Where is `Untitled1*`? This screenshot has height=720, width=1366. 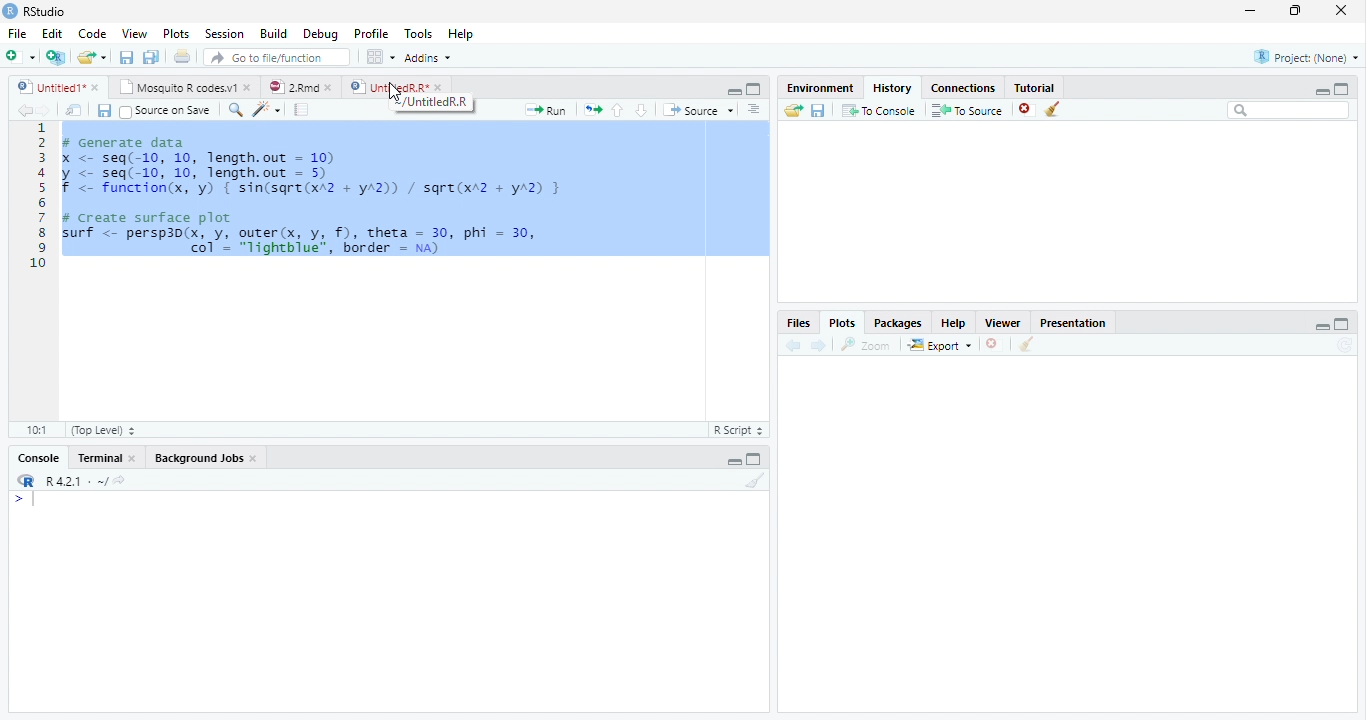 Untitled1* is located at coordinates (48, 86).